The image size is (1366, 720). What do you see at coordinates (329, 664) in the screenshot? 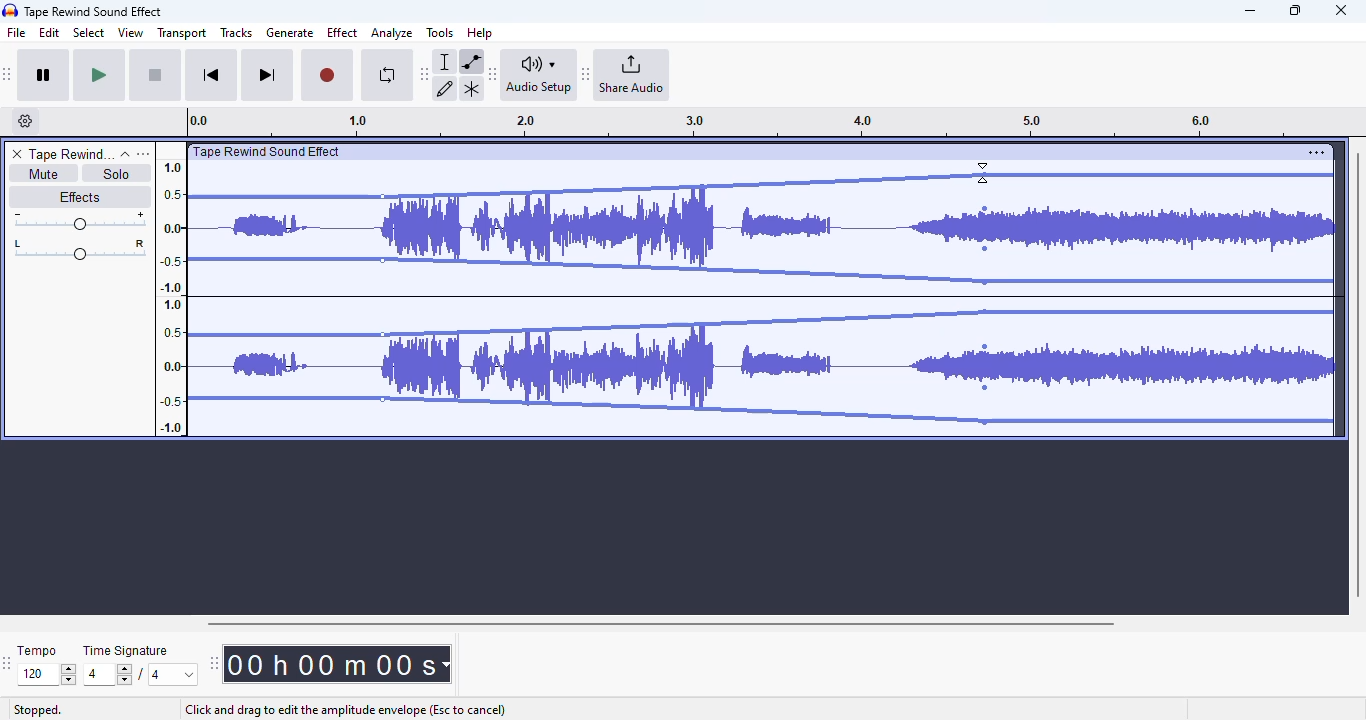
I see `Current track time` at bounding box center [329, 664].